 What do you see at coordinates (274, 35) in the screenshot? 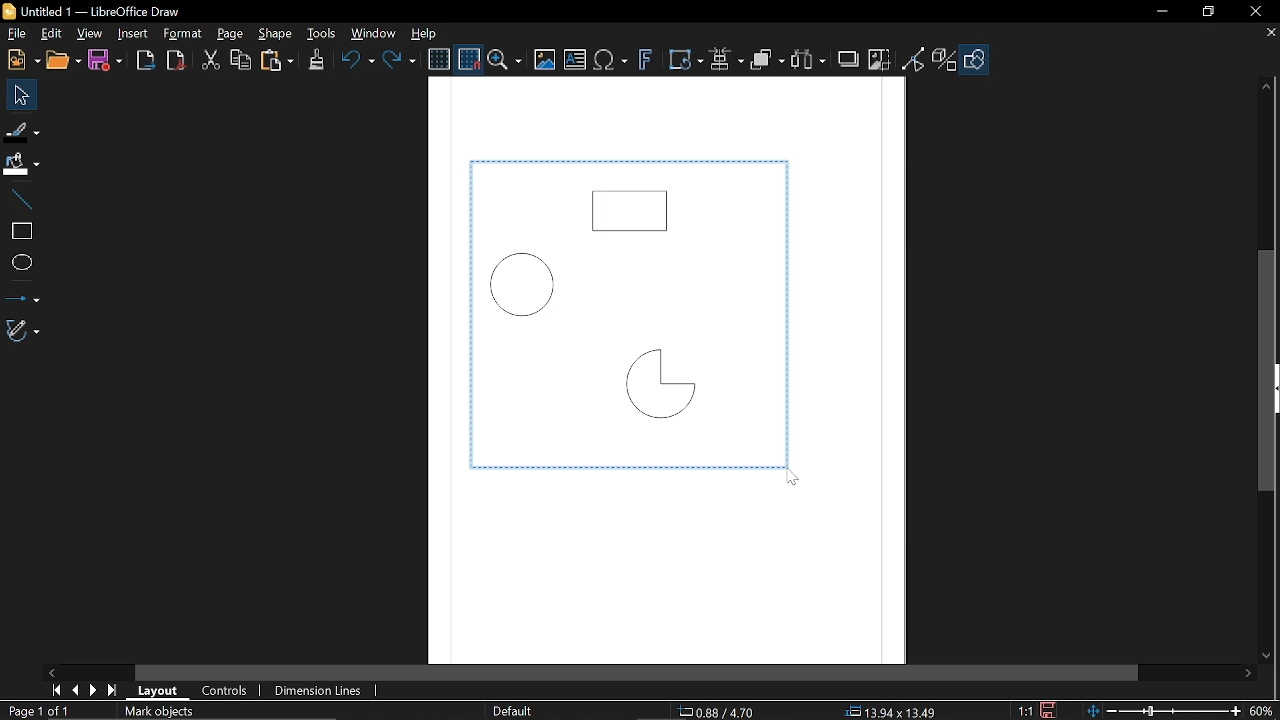
I see `Shape` at bounding box center [274, 35].